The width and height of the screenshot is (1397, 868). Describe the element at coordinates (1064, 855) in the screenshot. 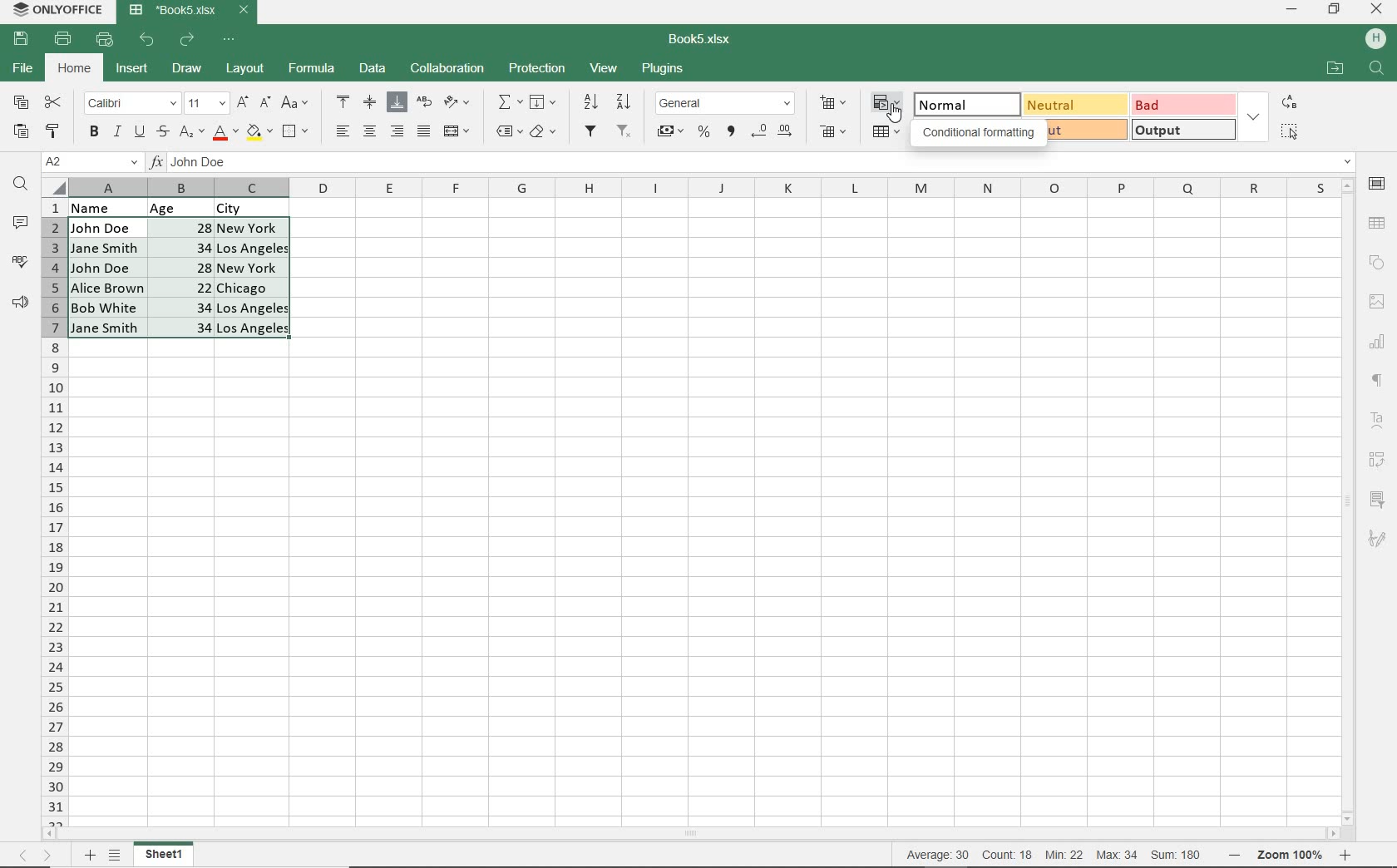

I see `min` at that location.